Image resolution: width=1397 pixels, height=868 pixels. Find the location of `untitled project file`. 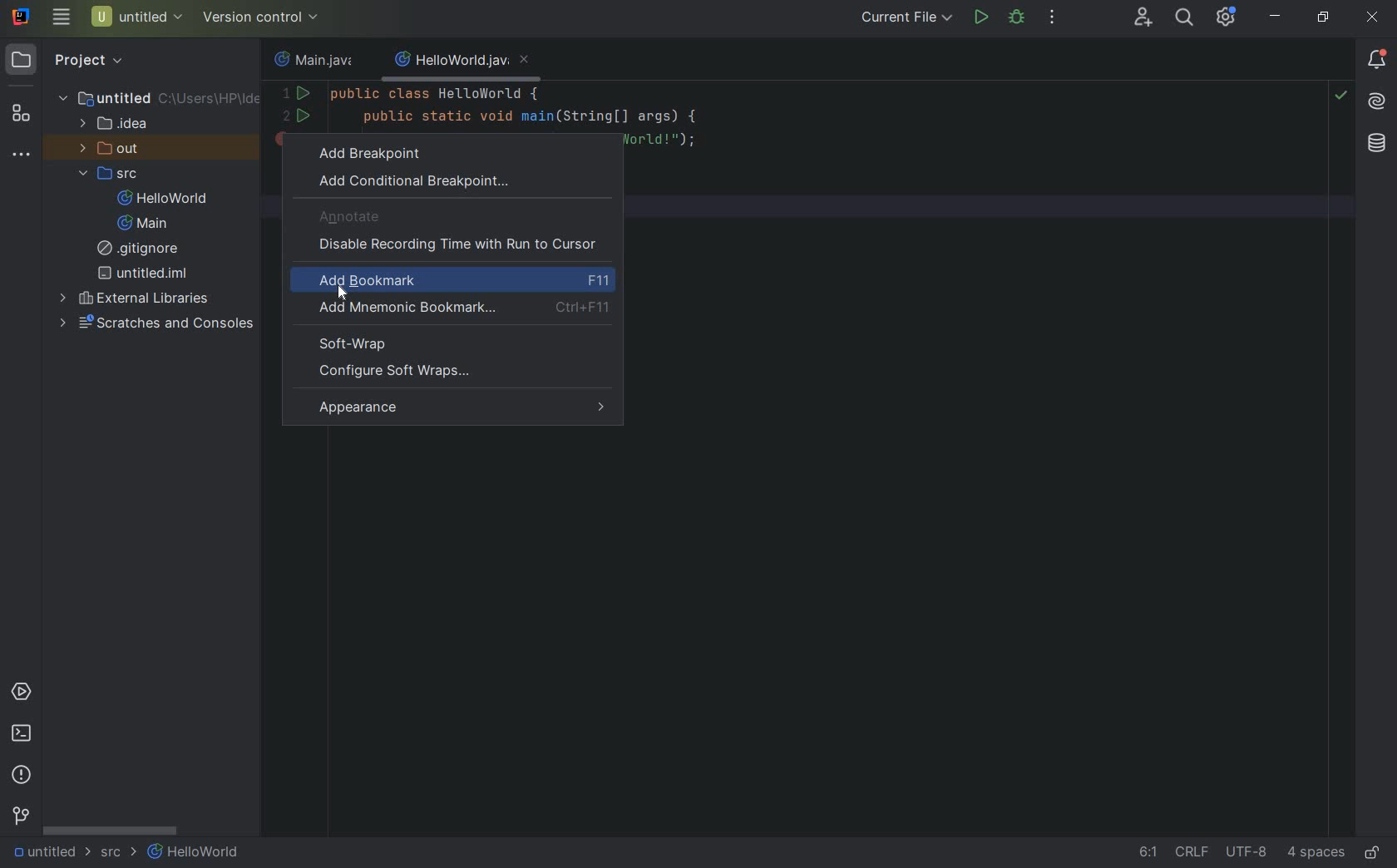

untitled project file is located at coordinates (136, 17).